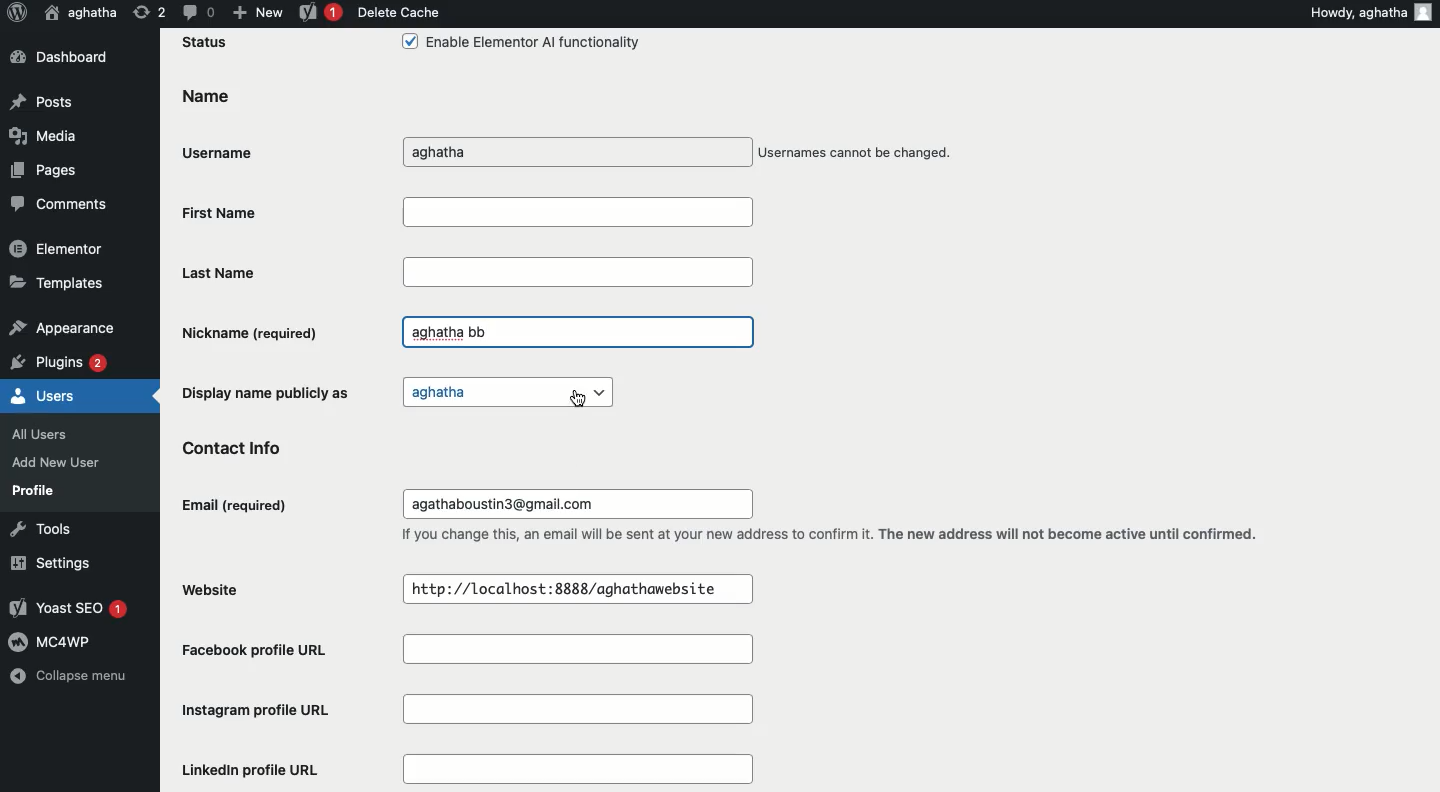 This screenshot has width=1440, height=792. What do you see at coordinates (197, 11) in the screenshot?
I see `Comment` at bounding box center [197, 11].